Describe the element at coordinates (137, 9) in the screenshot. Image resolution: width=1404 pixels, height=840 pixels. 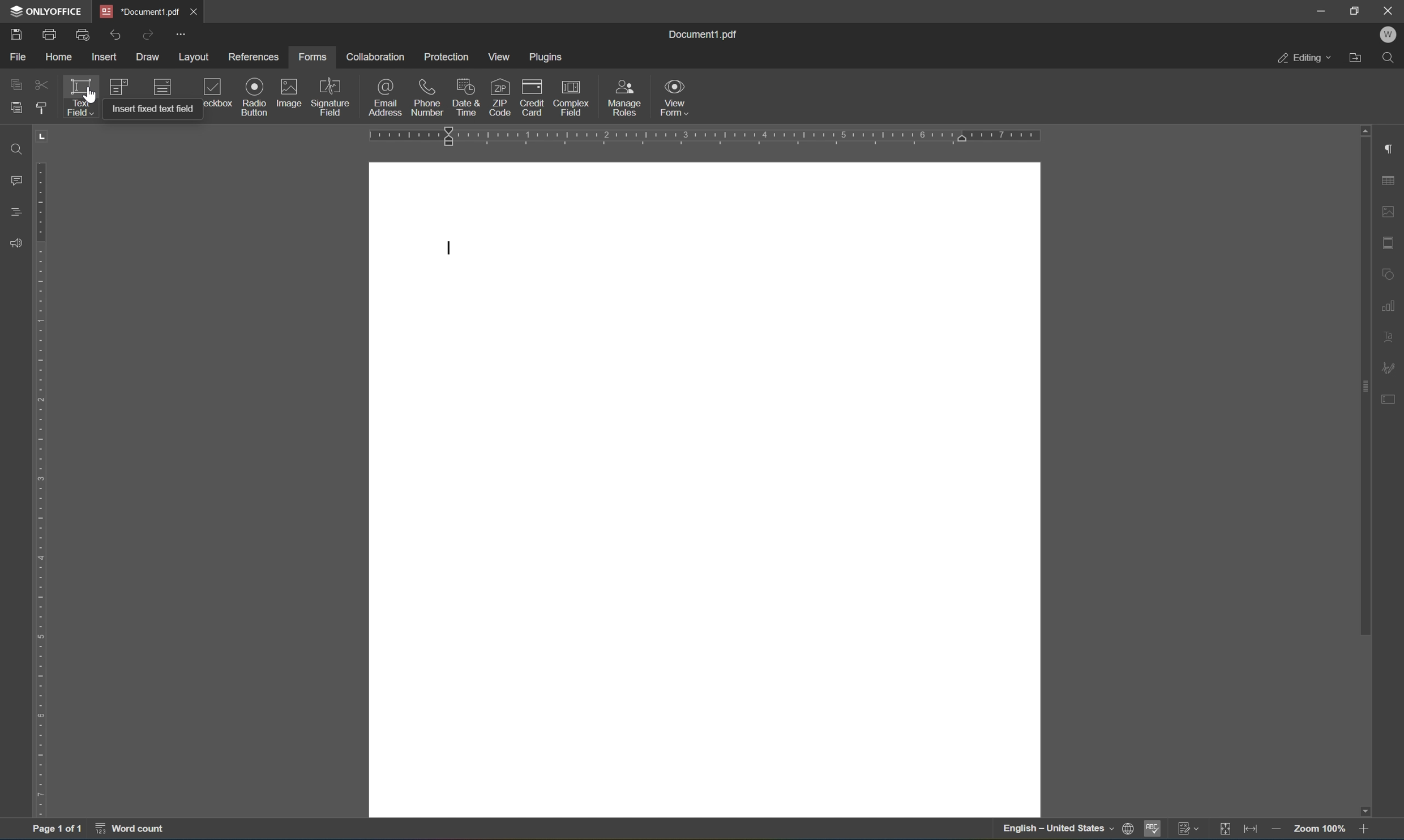
I see `document1` at that location.